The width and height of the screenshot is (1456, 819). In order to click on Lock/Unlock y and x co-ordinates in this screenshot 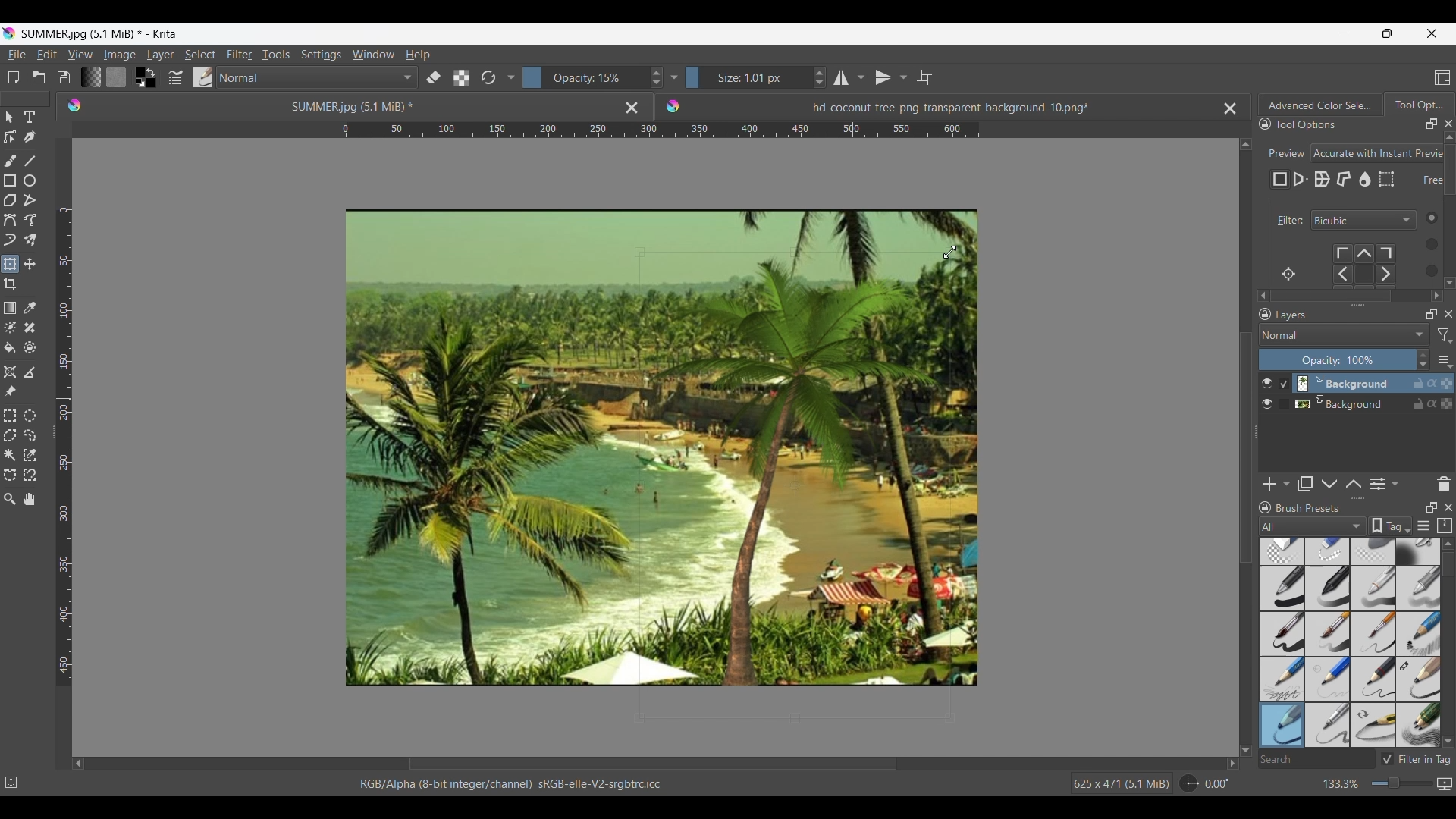, I will do `click(1423, 190)`.